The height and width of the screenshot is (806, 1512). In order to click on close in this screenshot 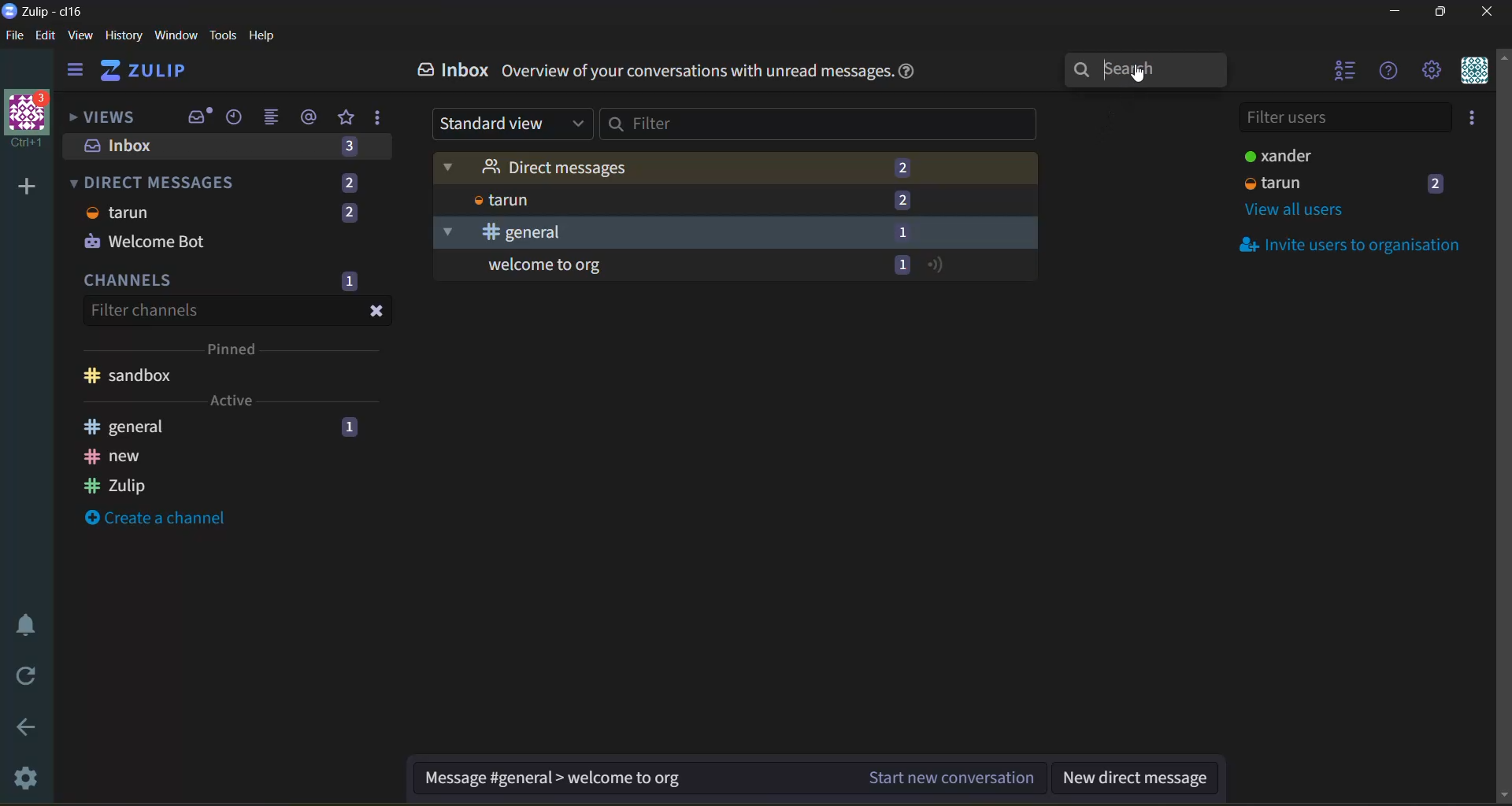, I will do `click(376, 312)`.